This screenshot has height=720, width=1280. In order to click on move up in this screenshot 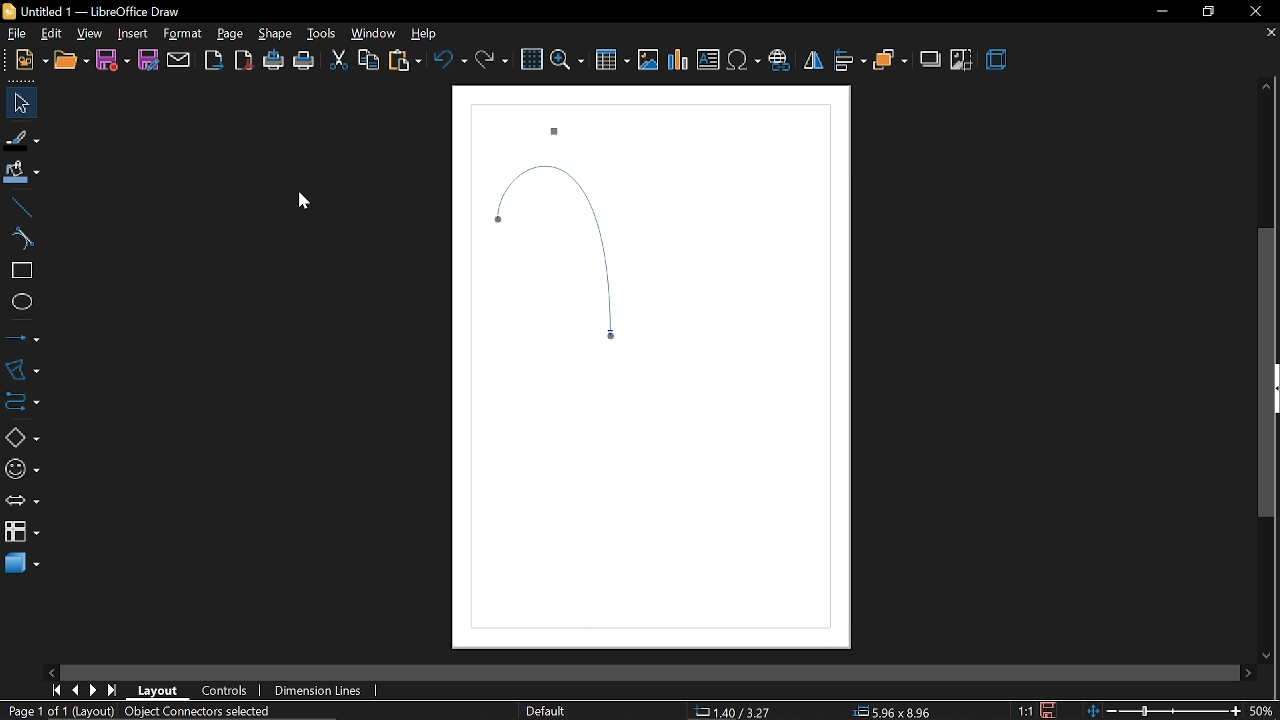, I will do `click(1267, 88)`.